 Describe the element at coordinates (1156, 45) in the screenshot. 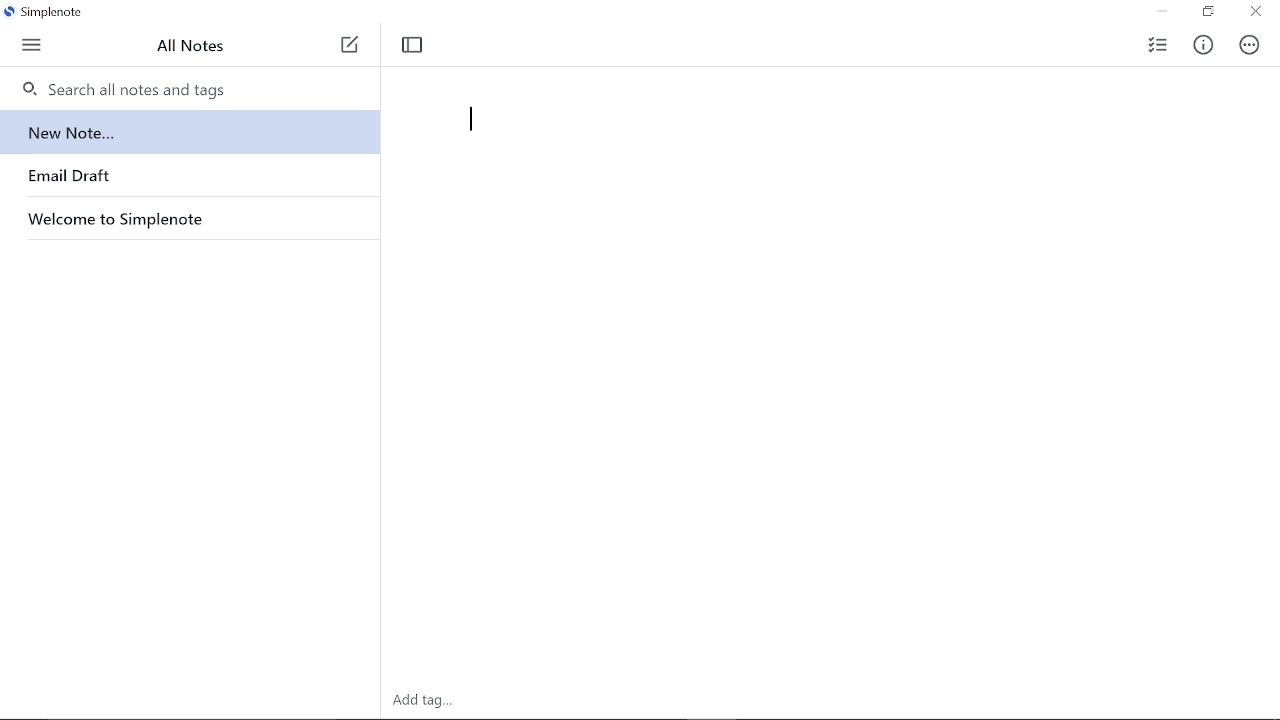

I see `Checklist` at that location.